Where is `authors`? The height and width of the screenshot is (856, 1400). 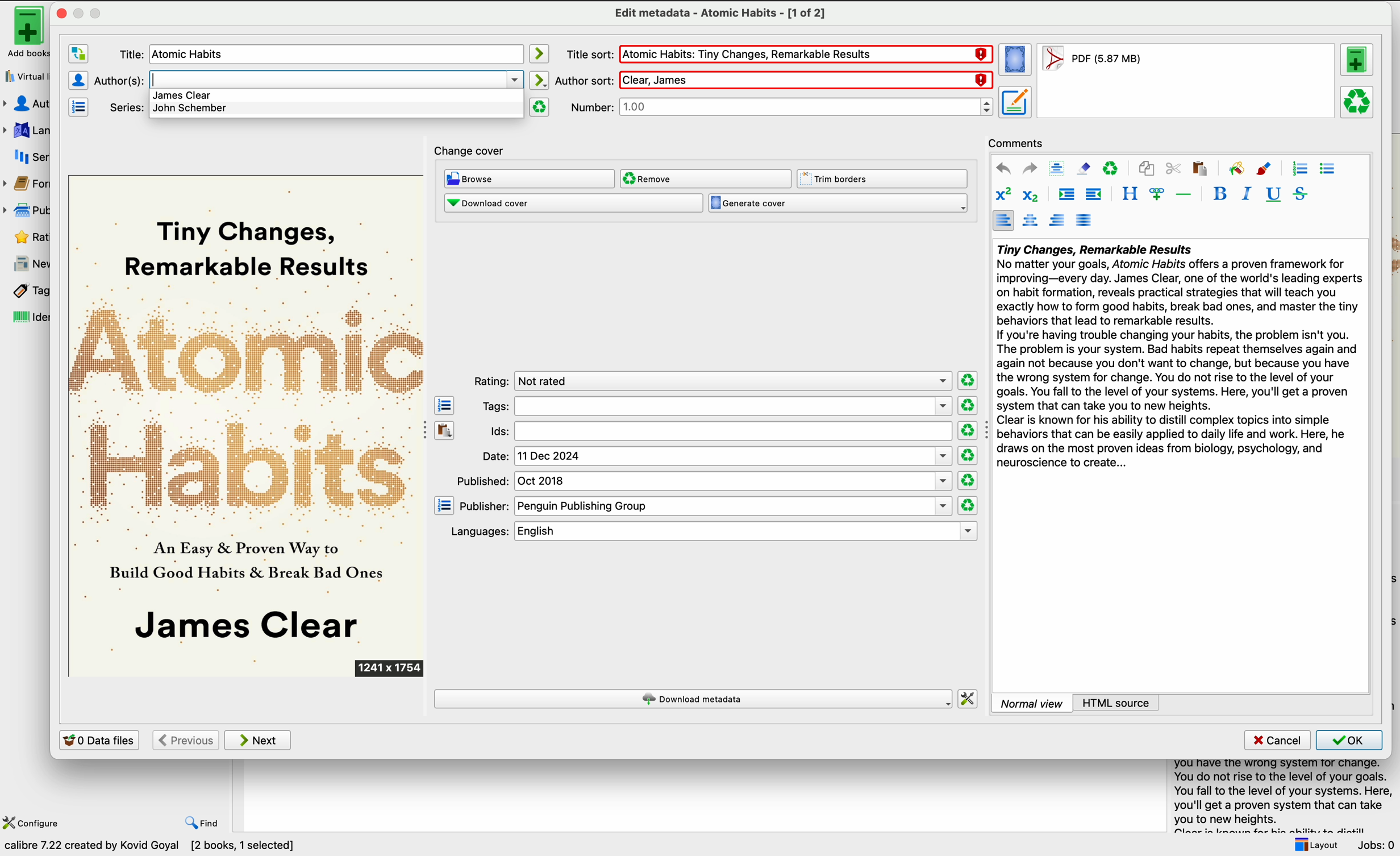
authors is located at coordinates (28, 104).